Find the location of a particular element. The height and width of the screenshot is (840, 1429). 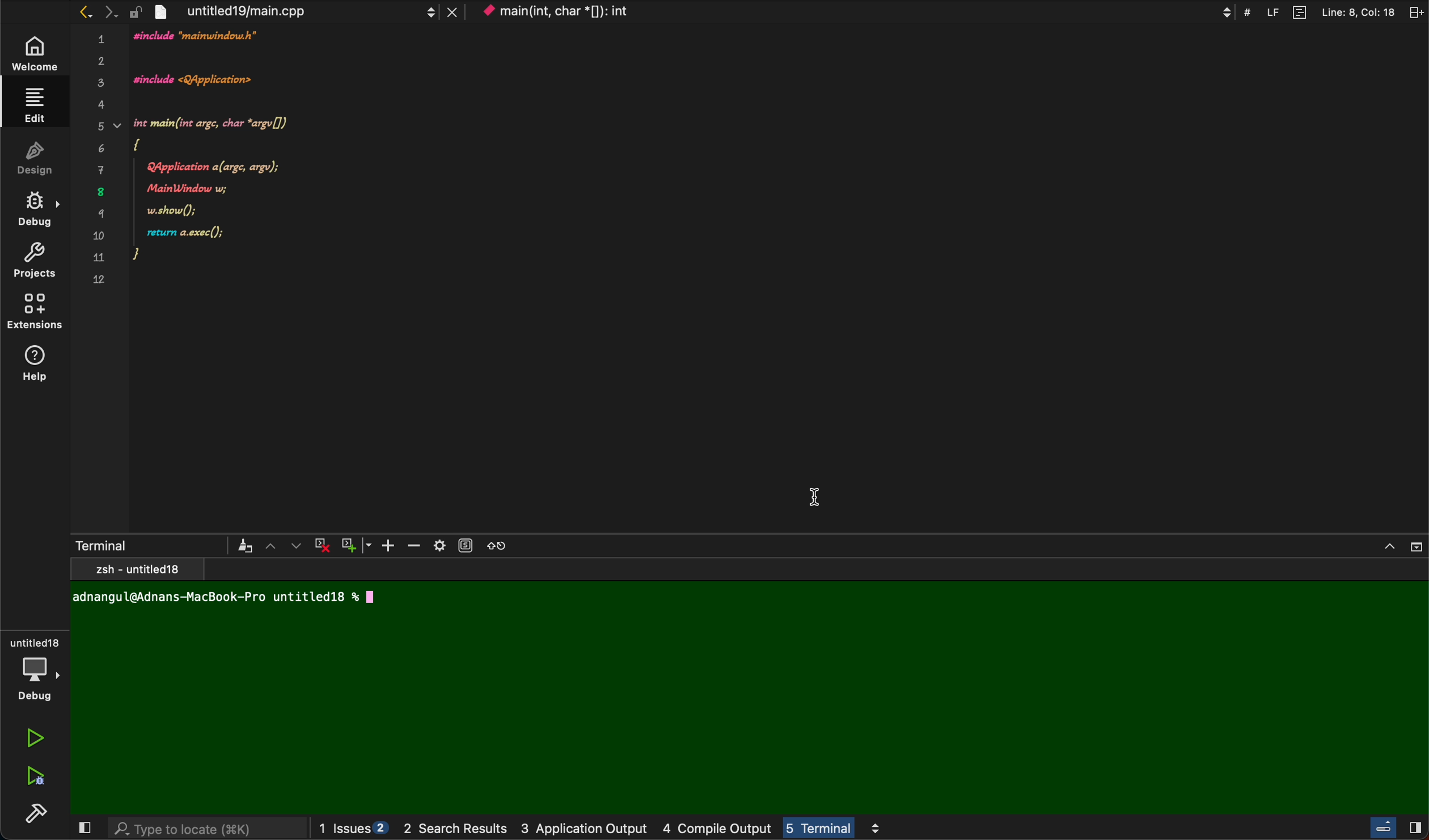

numbers is located at coordinates (100, 166).